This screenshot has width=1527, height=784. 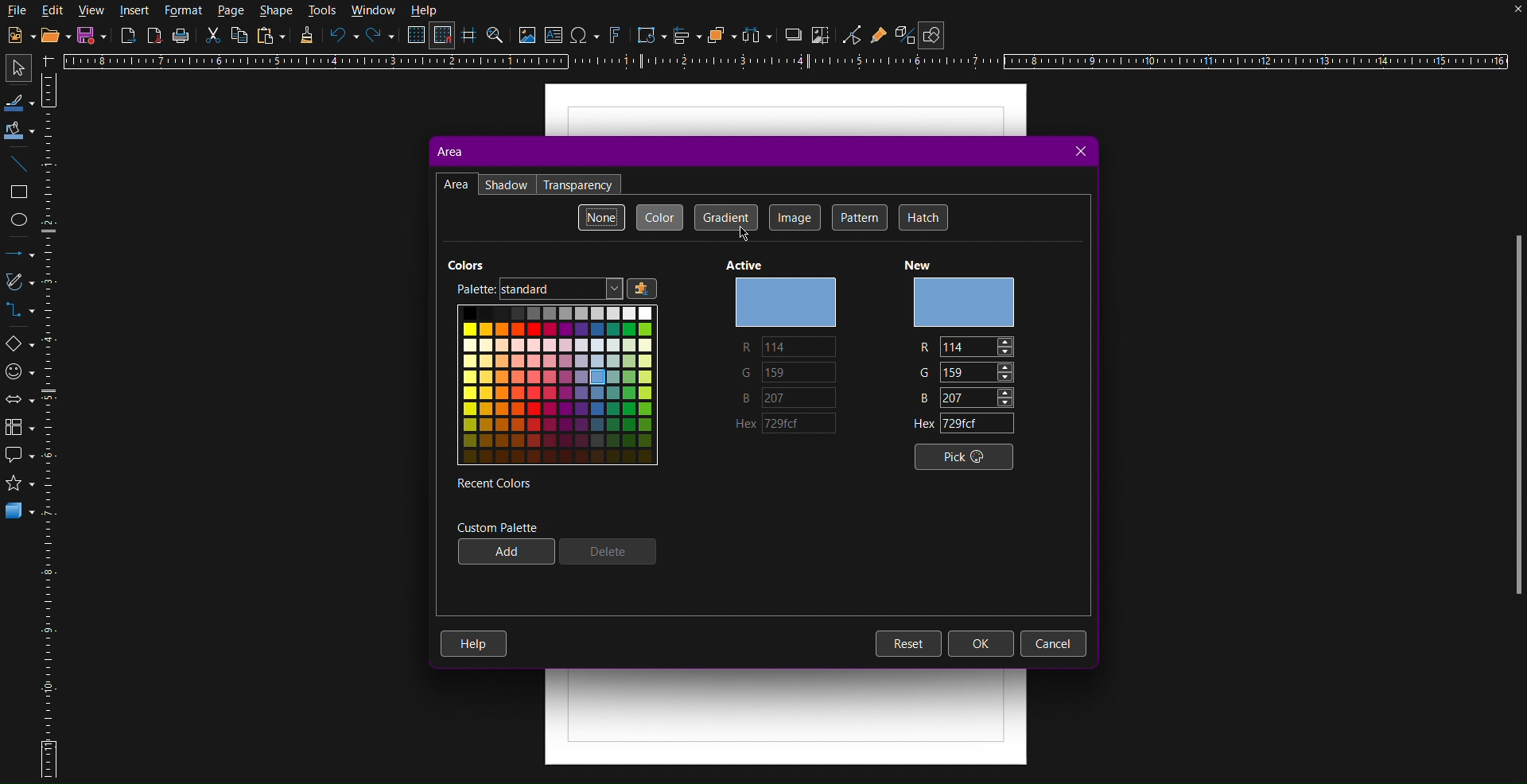 I want to click on Edit, so click(x=55, y=10).